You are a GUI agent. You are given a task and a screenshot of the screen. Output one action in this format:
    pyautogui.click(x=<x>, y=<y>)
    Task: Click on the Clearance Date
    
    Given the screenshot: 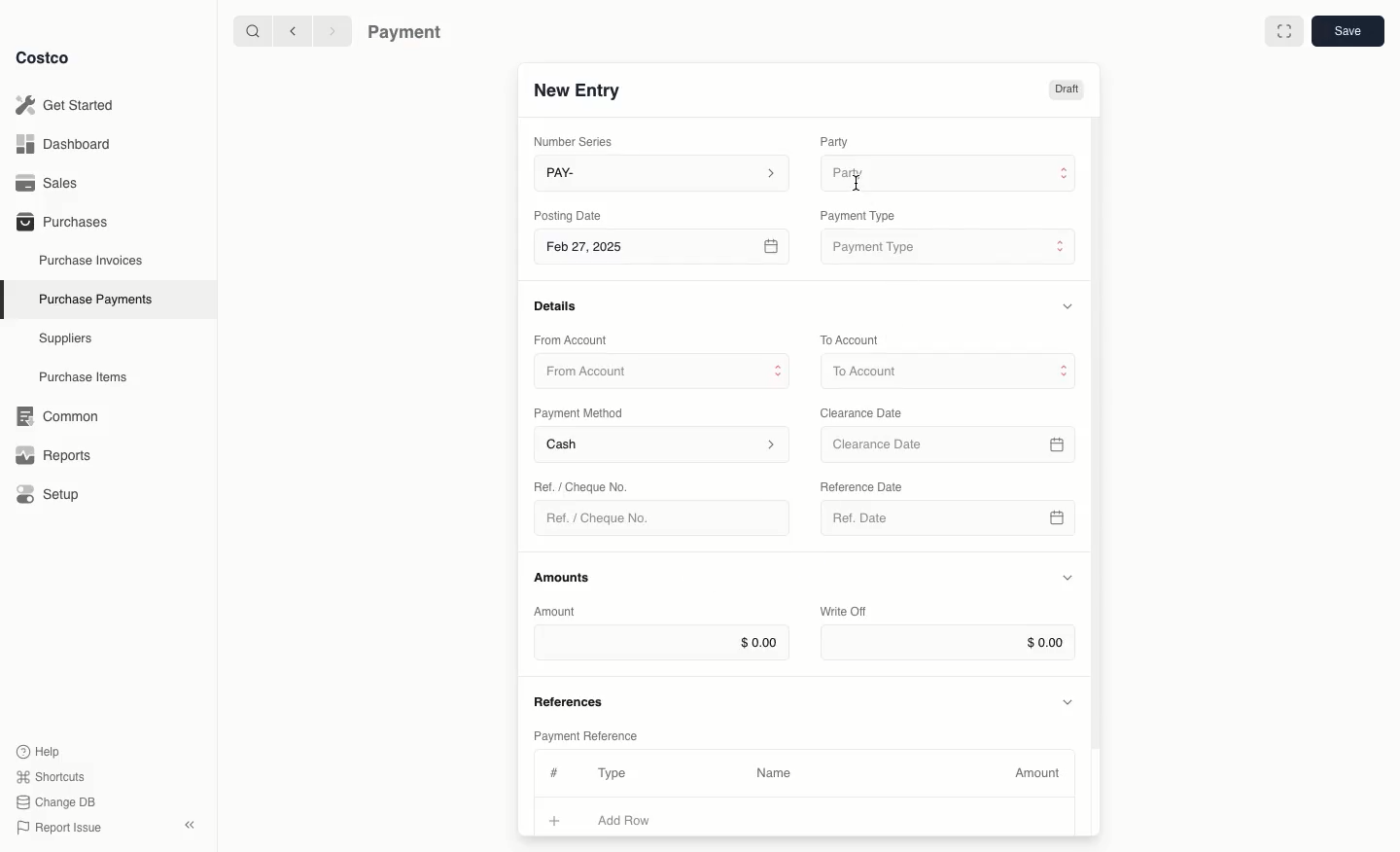 What is the action you would take?
    pyautogui.click(x=868, y=411)
    